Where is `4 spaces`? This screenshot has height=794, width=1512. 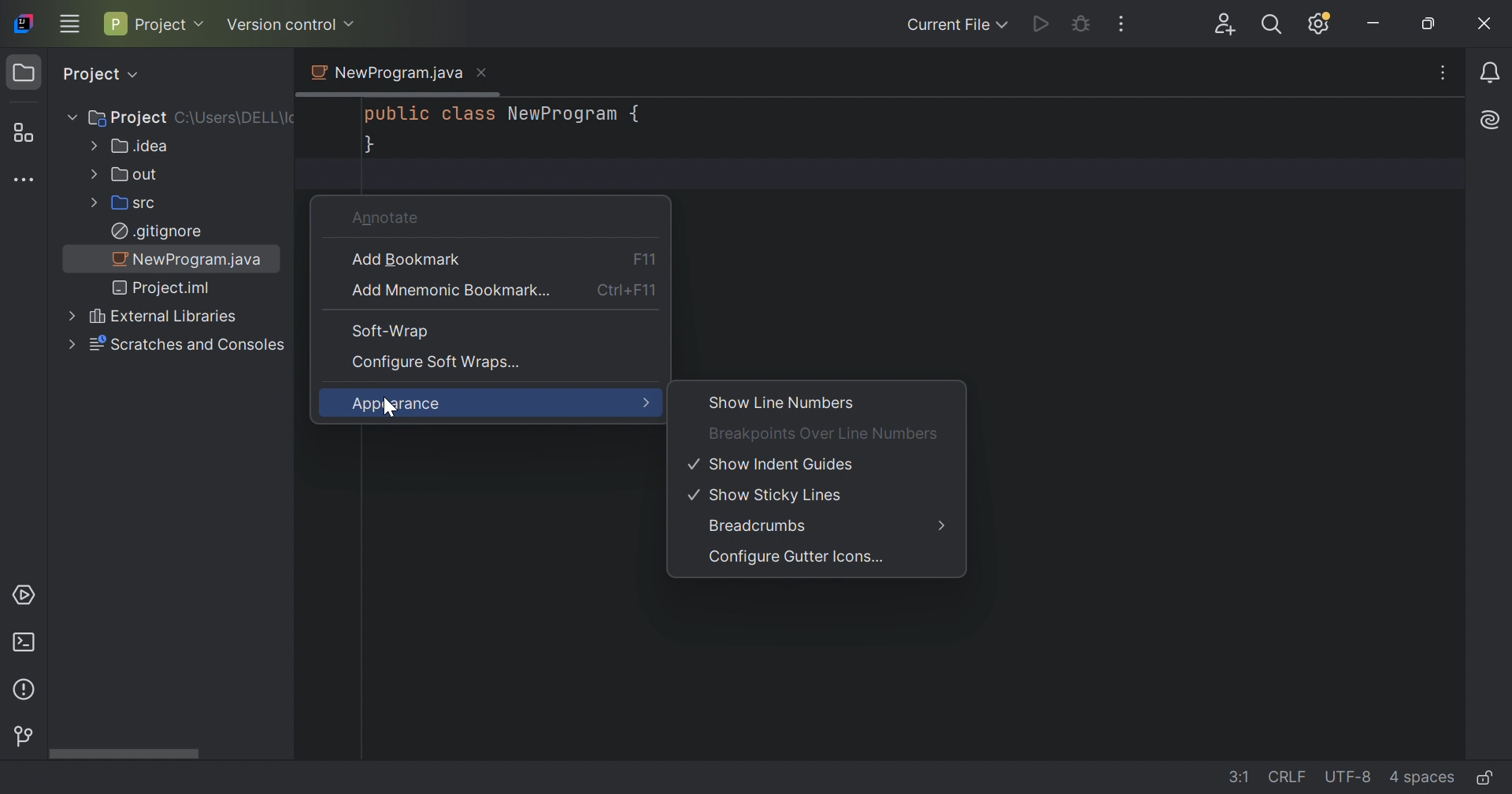
4 spaces is located at coordinates (1420, 775).